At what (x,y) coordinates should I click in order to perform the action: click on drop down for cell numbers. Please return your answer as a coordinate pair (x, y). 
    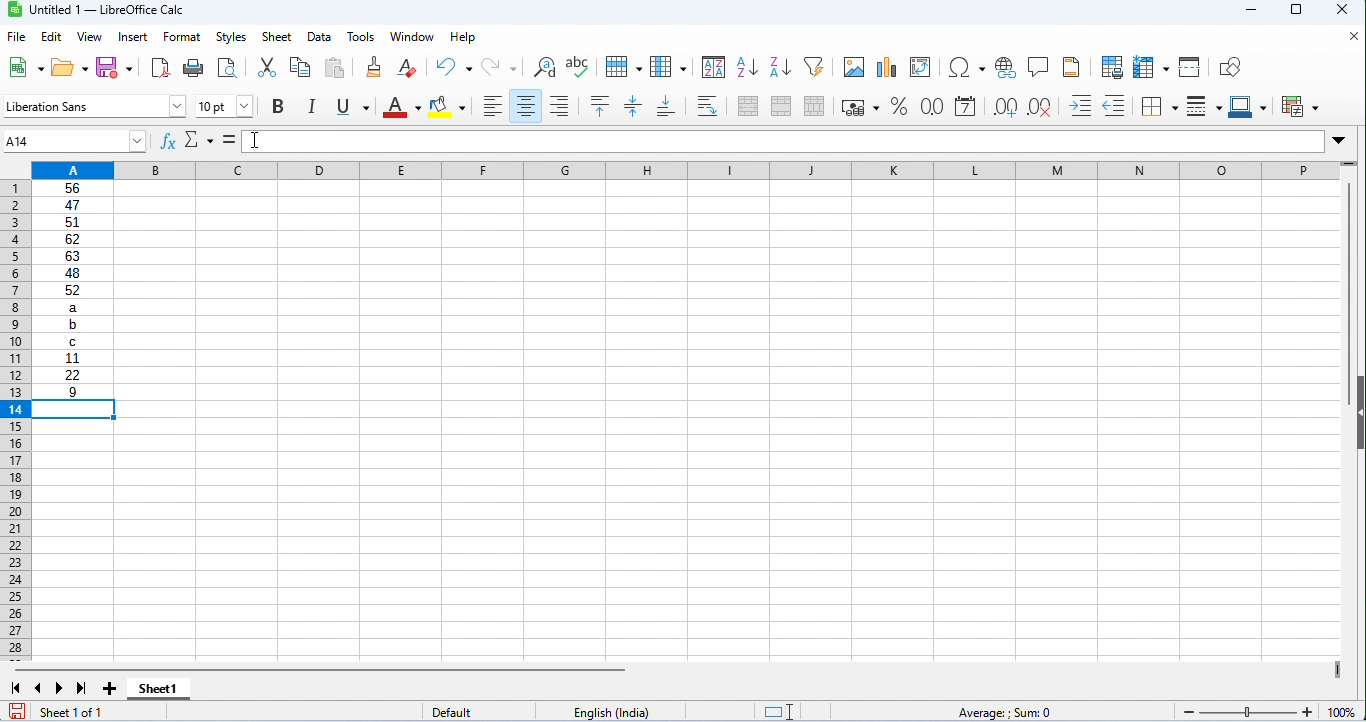
    Looking at the image, I should click on (137, 141).